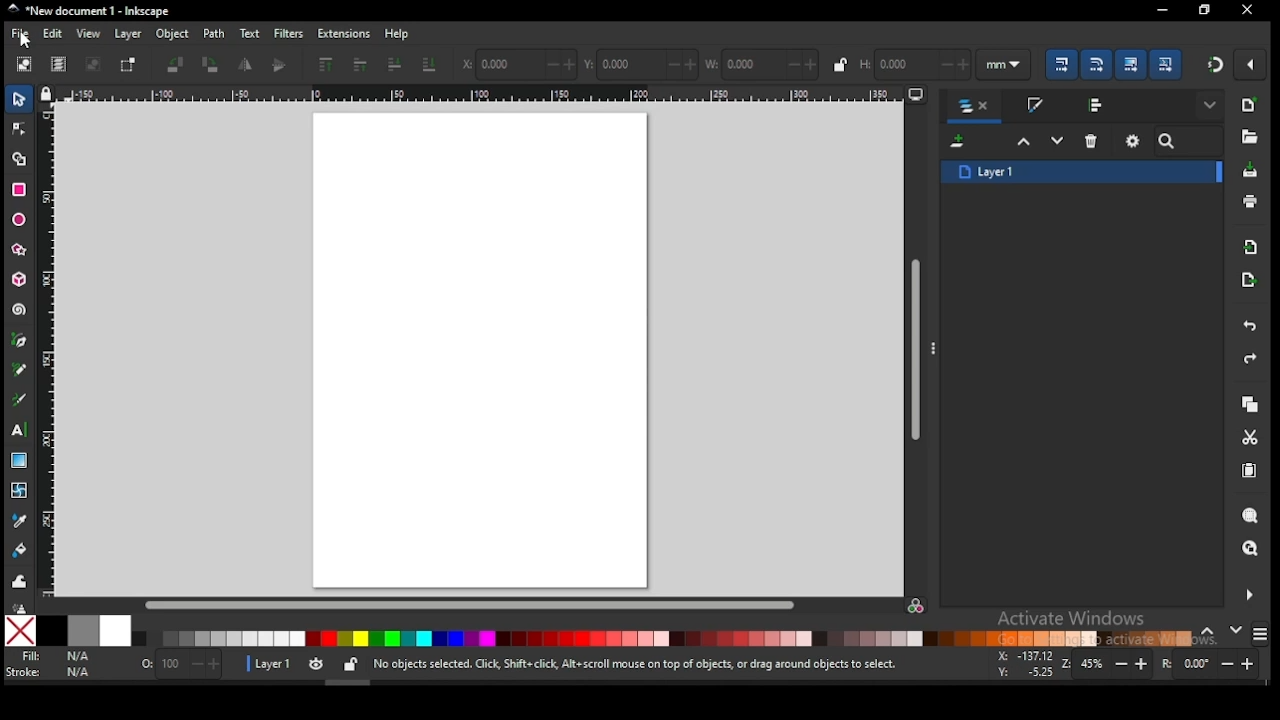 This screenshot has width=1280, height=720. I want to click on fill color, so click(53, 657).